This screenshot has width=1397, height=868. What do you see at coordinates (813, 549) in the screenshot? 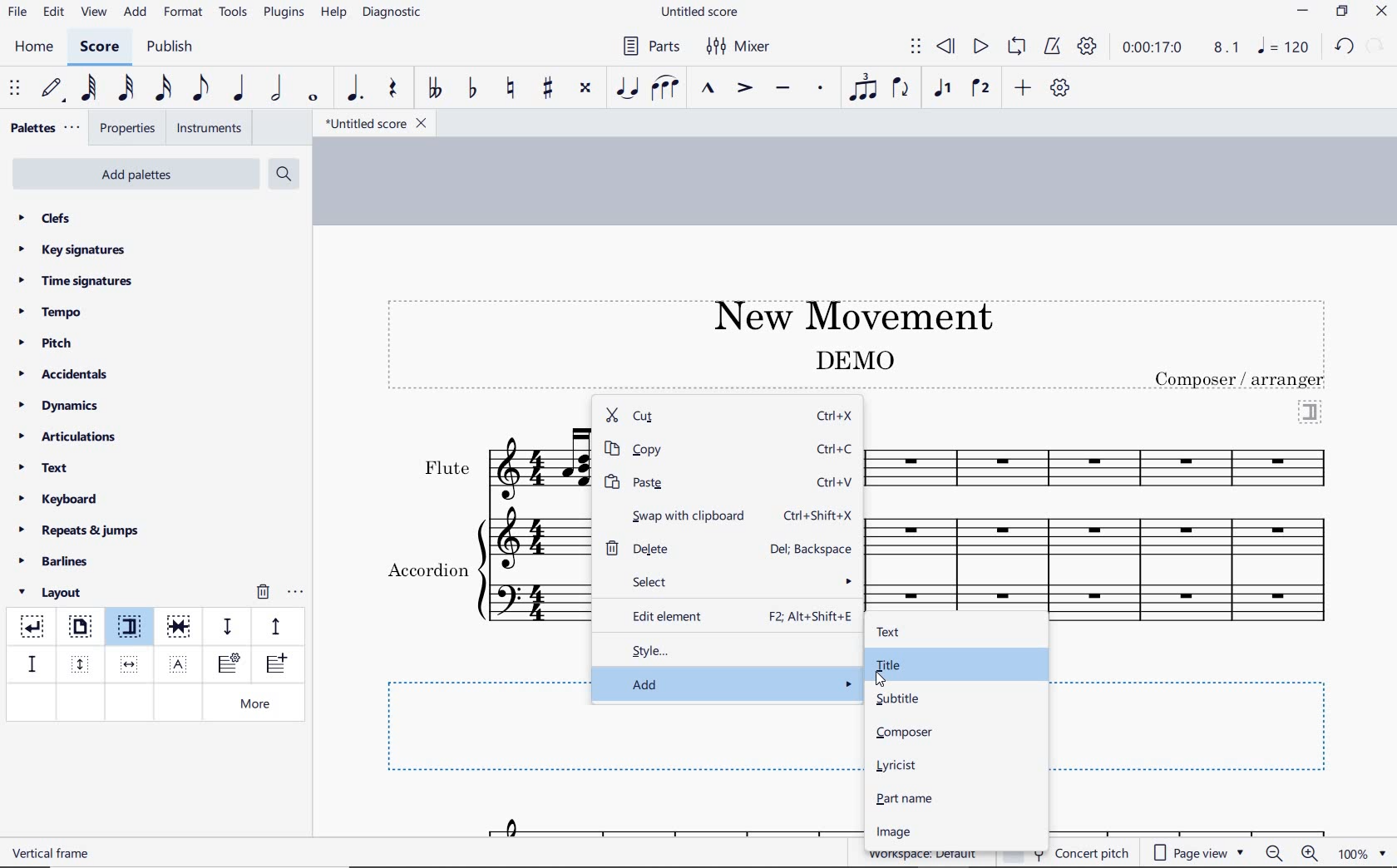
I see `Shortcut key` at bounding box center [813, 549].